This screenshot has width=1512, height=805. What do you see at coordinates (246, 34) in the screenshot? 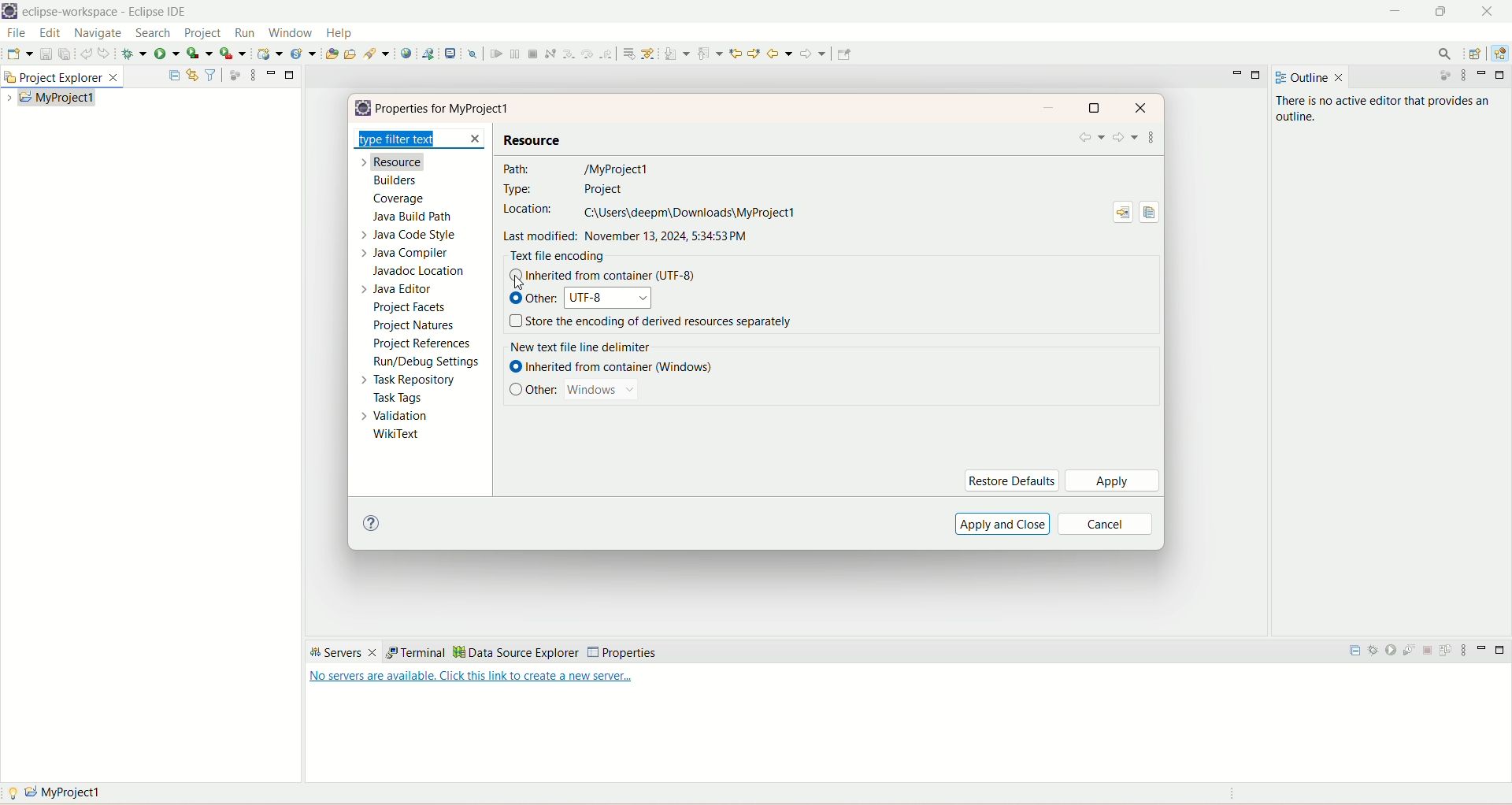
I see `run` at bounding box center [246, 34].